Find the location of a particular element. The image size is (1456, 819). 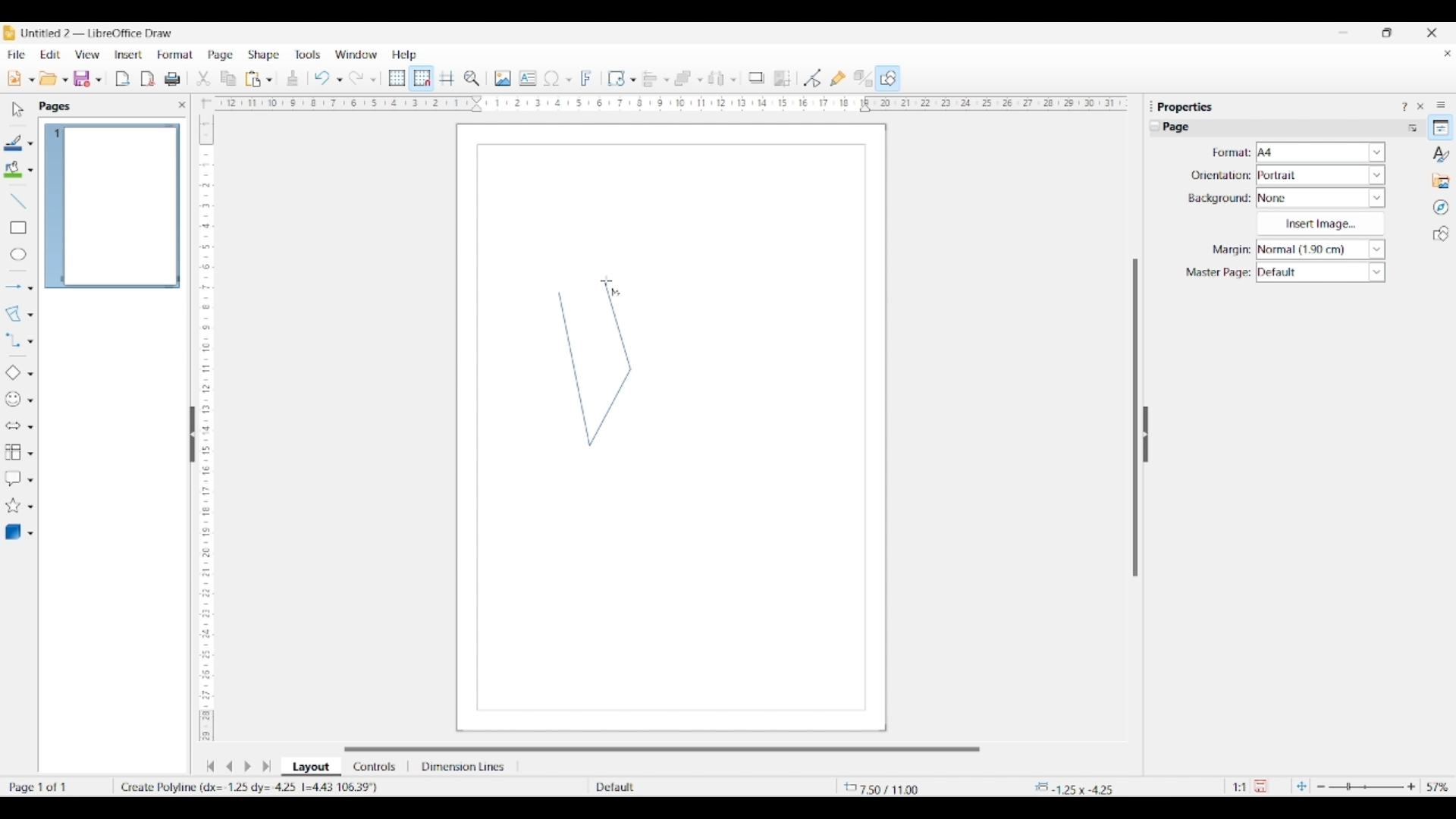

Margin options is located at coordinates (1320, 249).